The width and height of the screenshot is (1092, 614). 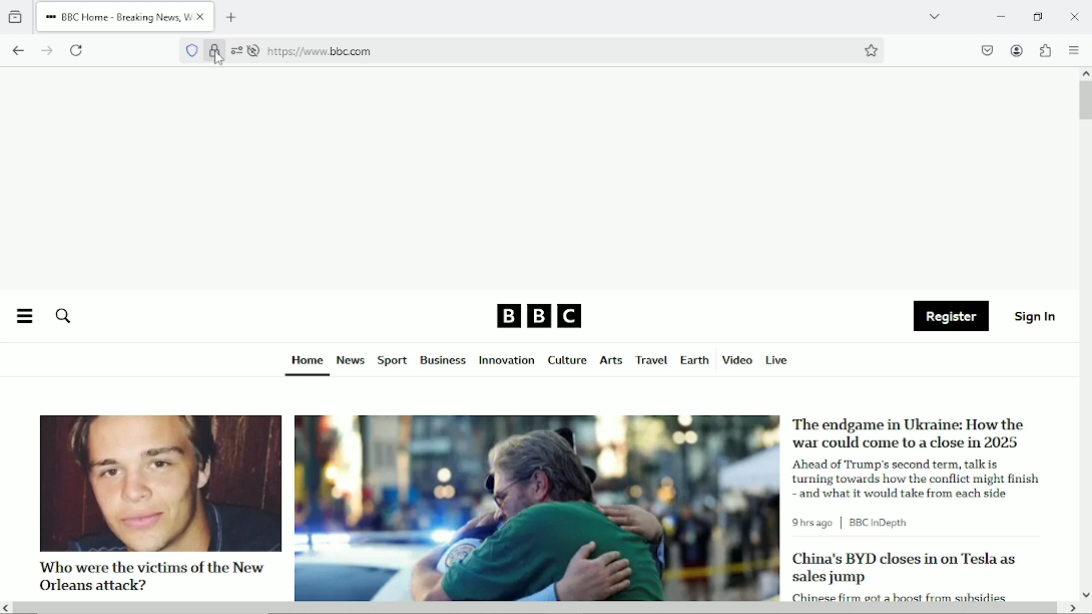 I want to click on Business, so click(x=443, y=360).